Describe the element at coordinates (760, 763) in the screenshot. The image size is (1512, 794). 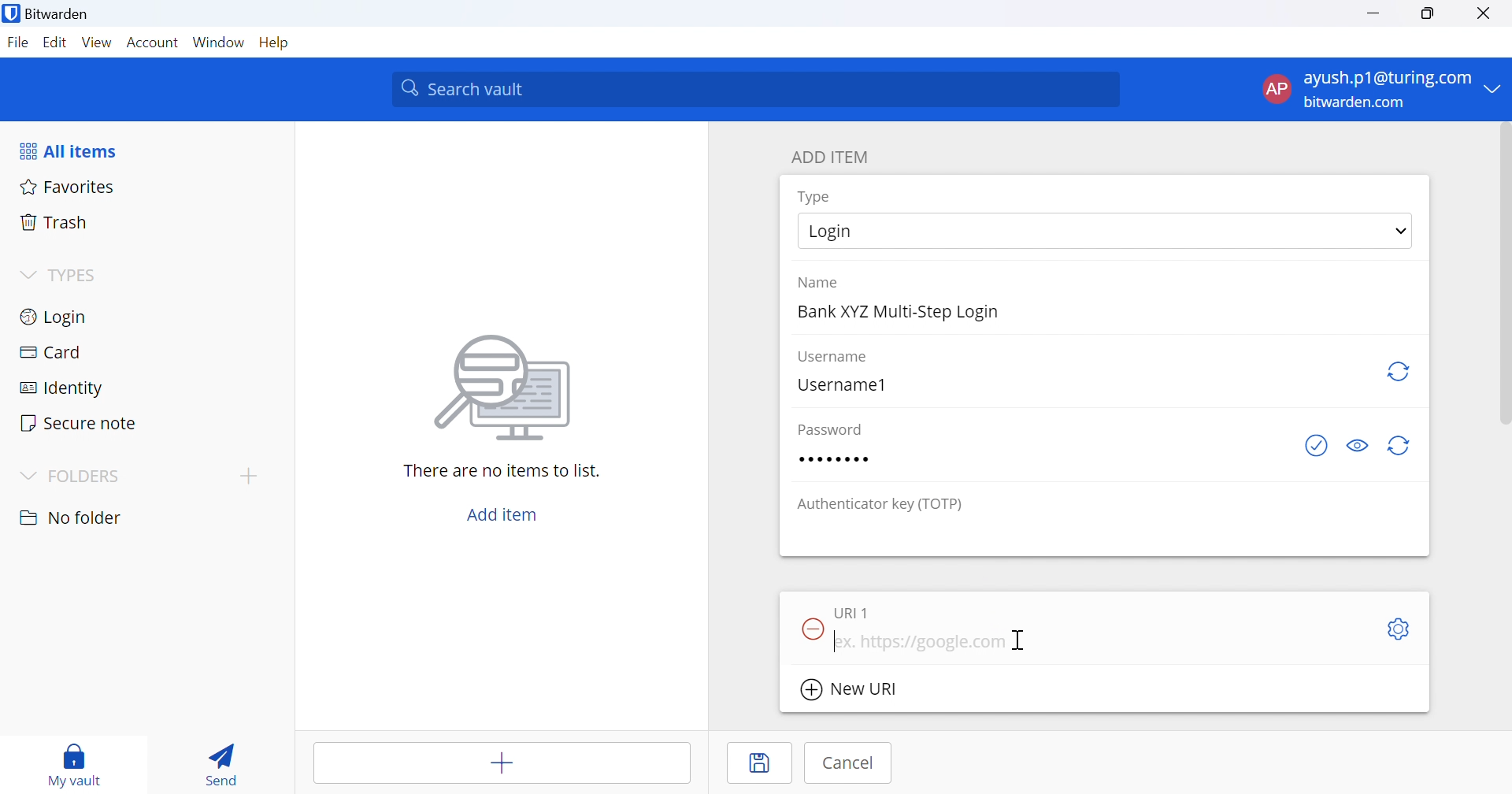
I see `Save` at that location.